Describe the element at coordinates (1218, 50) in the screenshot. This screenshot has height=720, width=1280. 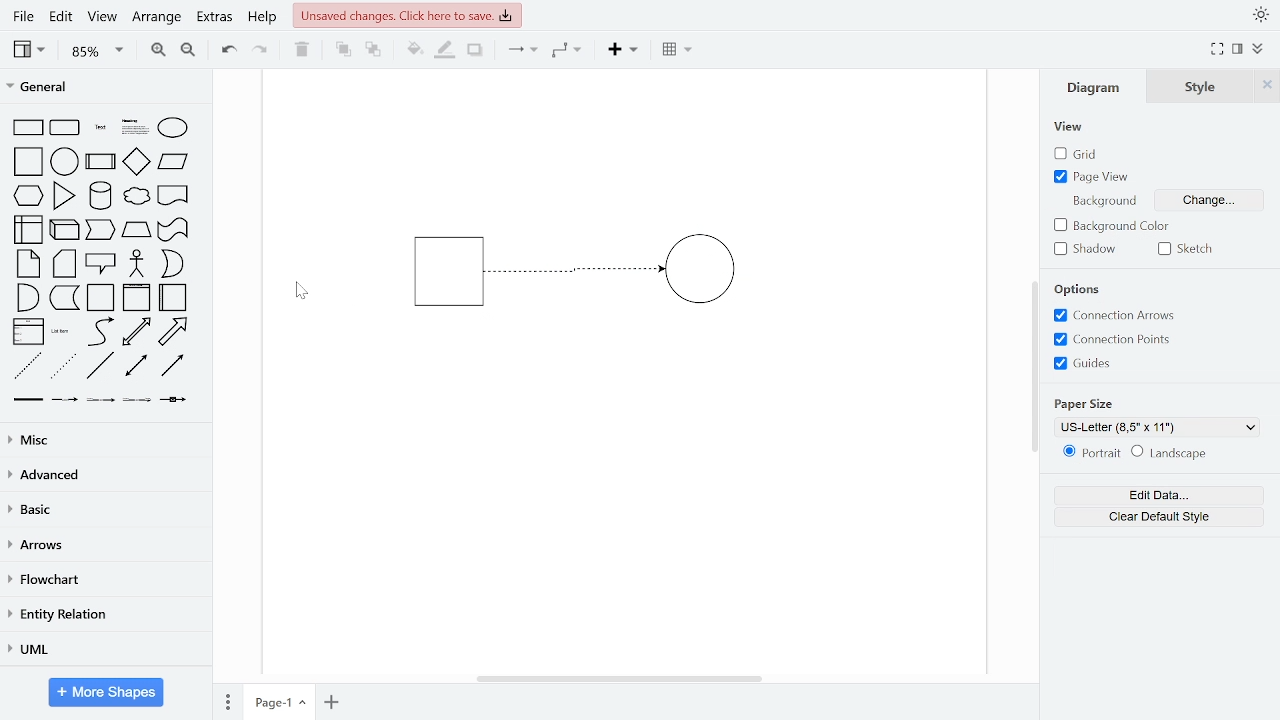
I see `full screen` at that location.